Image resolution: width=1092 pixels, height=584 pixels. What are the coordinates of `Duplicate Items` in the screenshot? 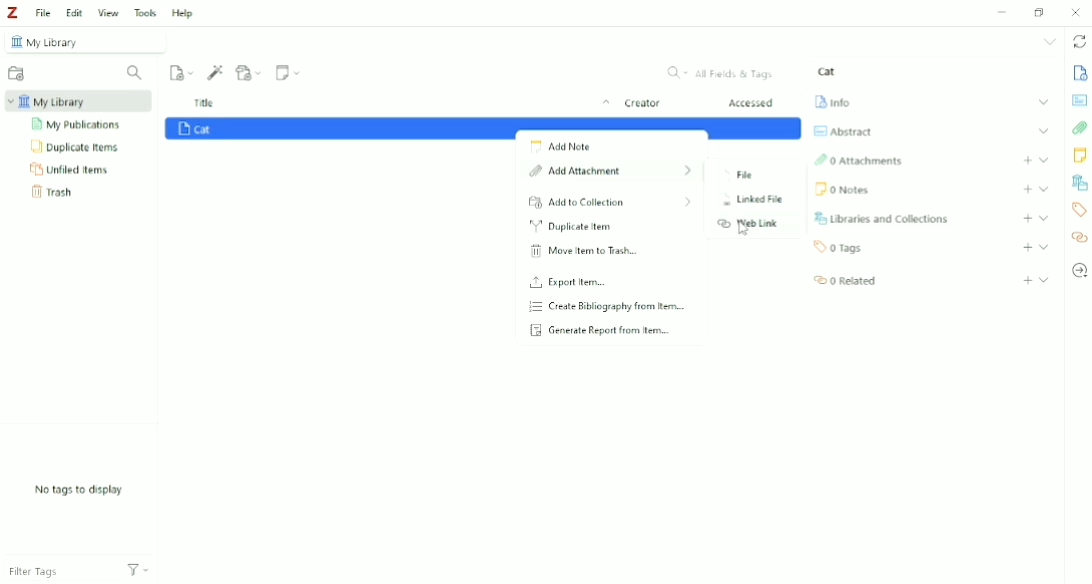 It's located at (76, 146).